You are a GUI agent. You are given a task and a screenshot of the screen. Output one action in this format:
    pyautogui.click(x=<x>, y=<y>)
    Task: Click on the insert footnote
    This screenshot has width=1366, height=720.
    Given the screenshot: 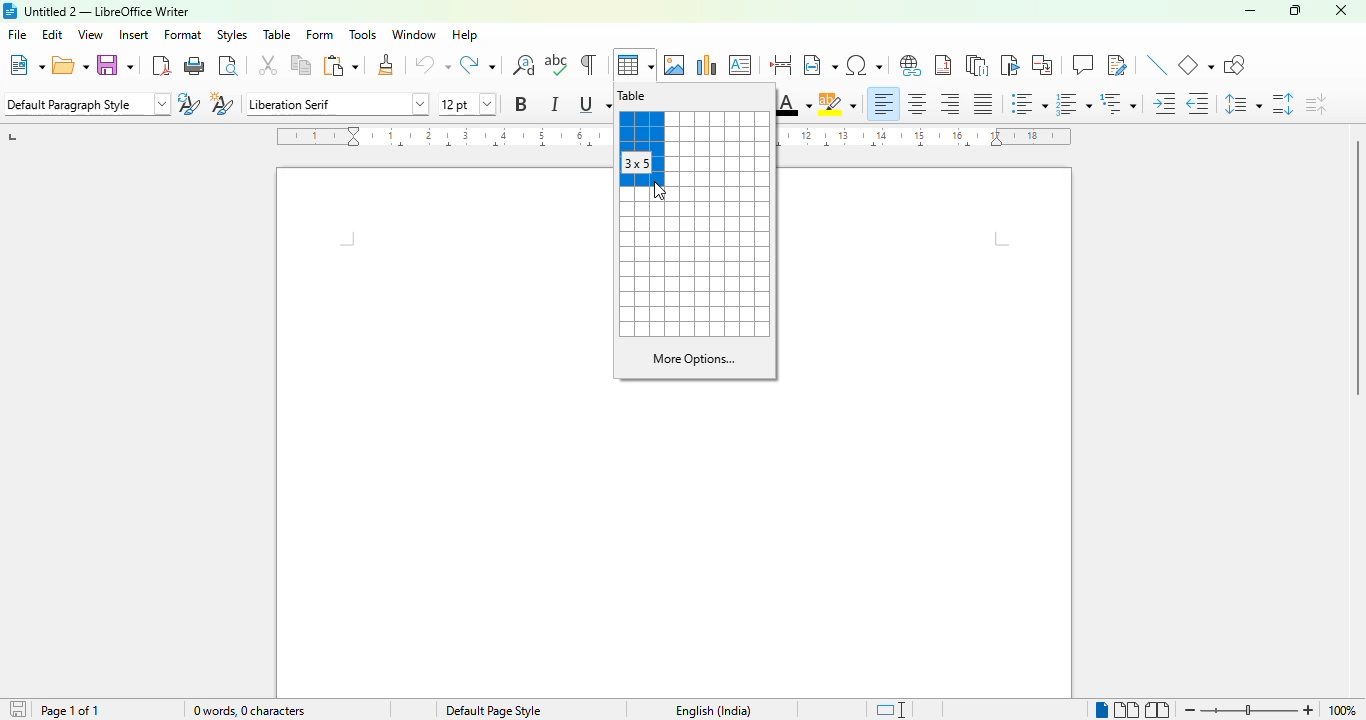 What is the action you would take?
    pyautogui.click(x=943, y=64)
    